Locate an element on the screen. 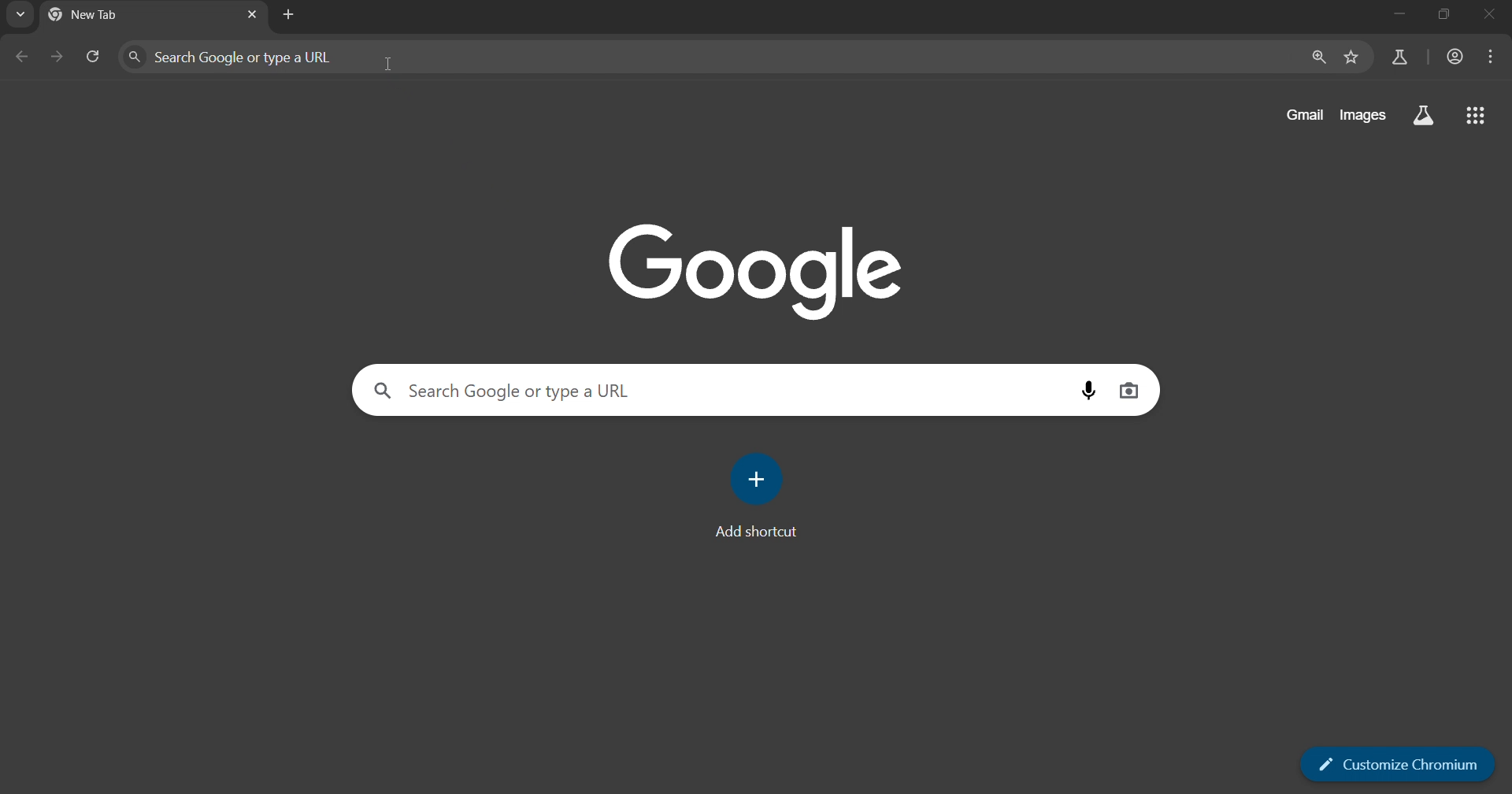  Maximize is located at coordinates (1445, 17).